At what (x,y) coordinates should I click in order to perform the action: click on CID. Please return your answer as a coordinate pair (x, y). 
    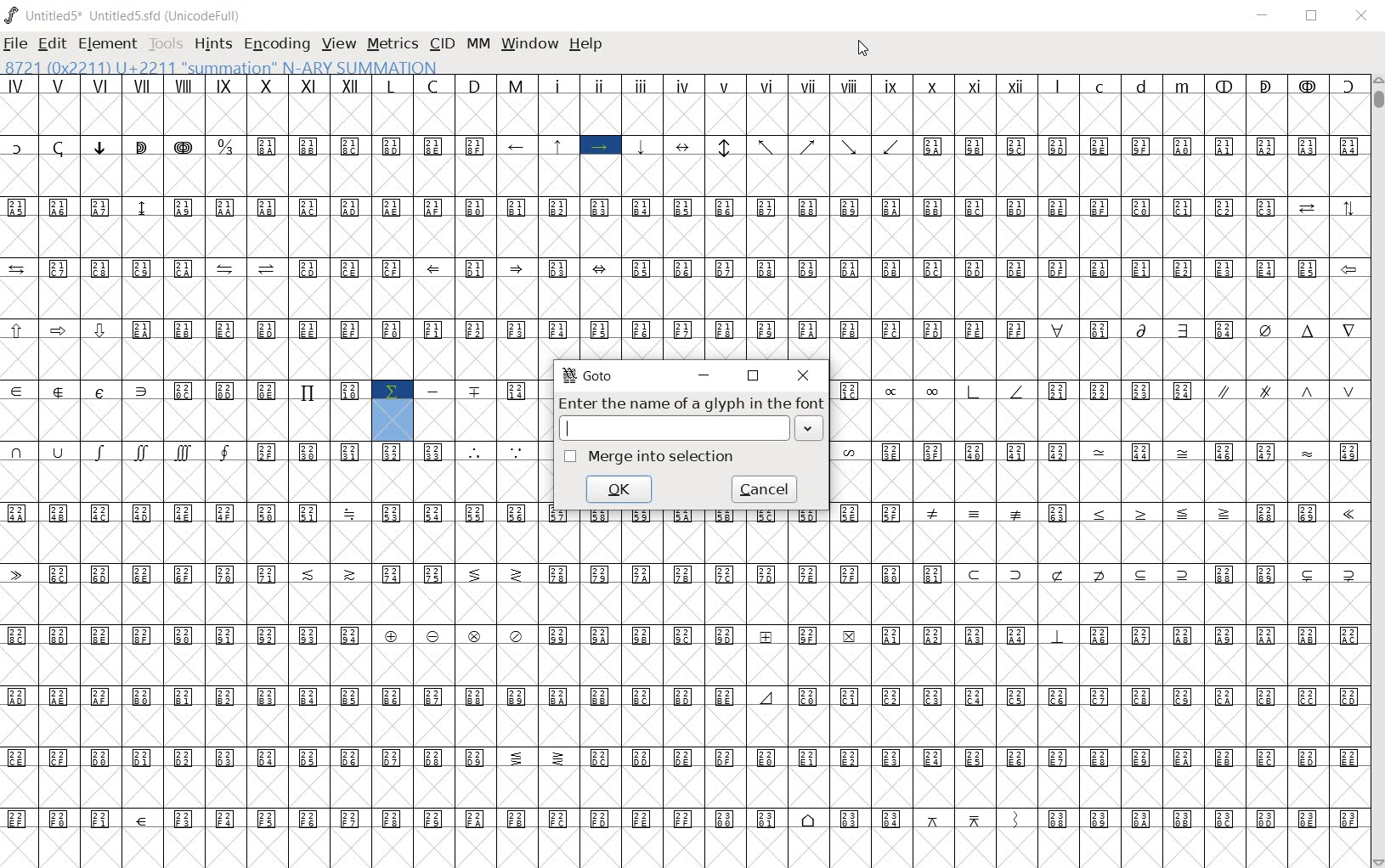
    Looking at the image, I should click on (442, 44).